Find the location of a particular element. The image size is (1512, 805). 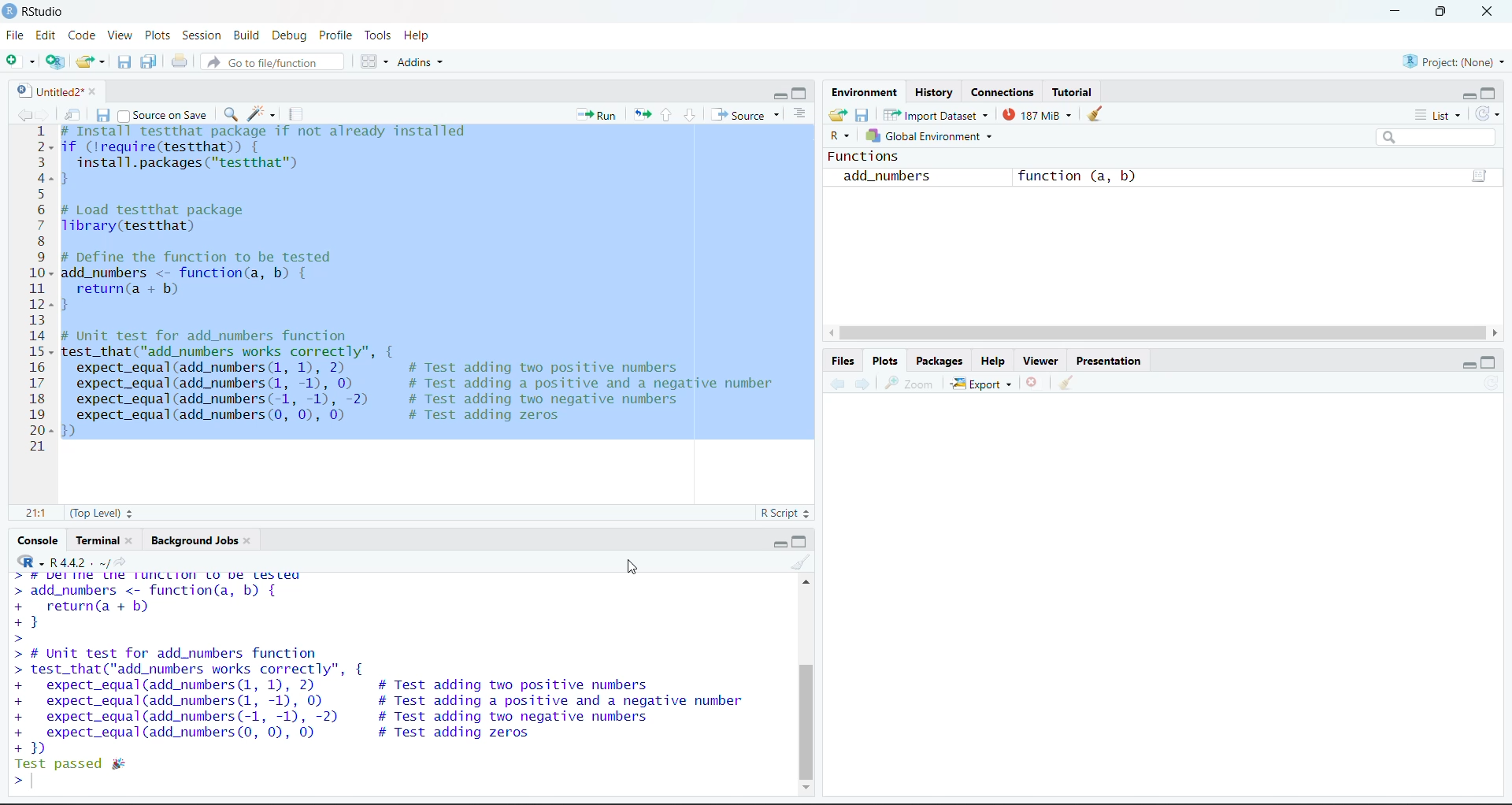

Test passed # is located at coordinates (76, 764).